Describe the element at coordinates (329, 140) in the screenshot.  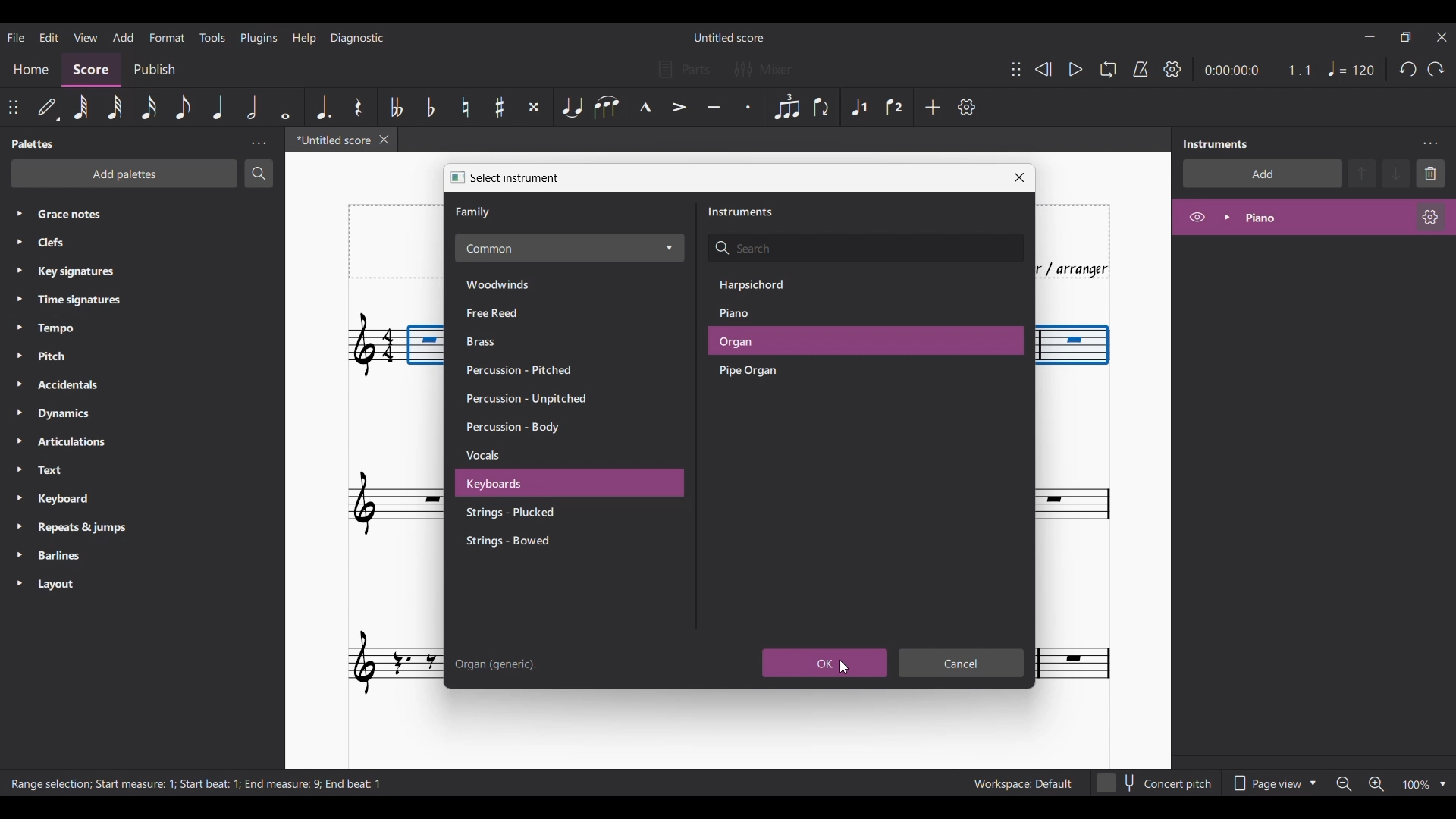
I see `Current tab` at that location.